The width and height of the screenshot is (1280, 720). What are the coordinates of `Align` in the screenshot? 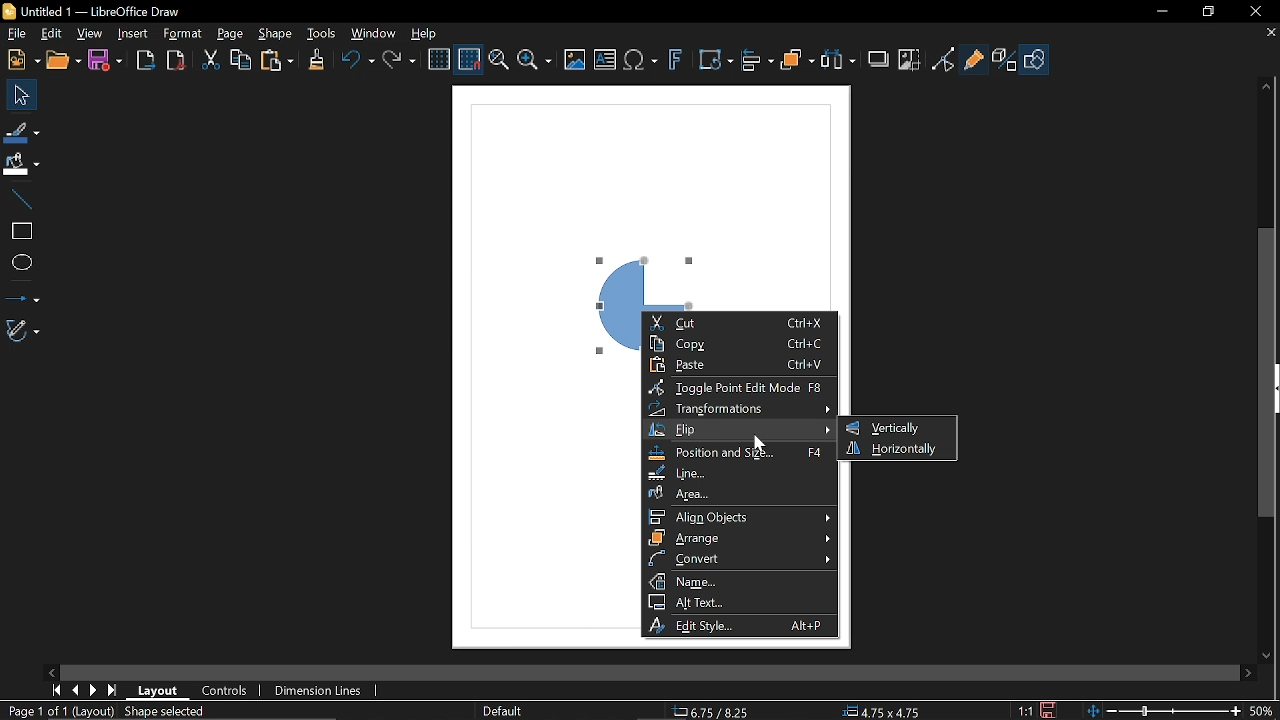 It's located at (757, 61).